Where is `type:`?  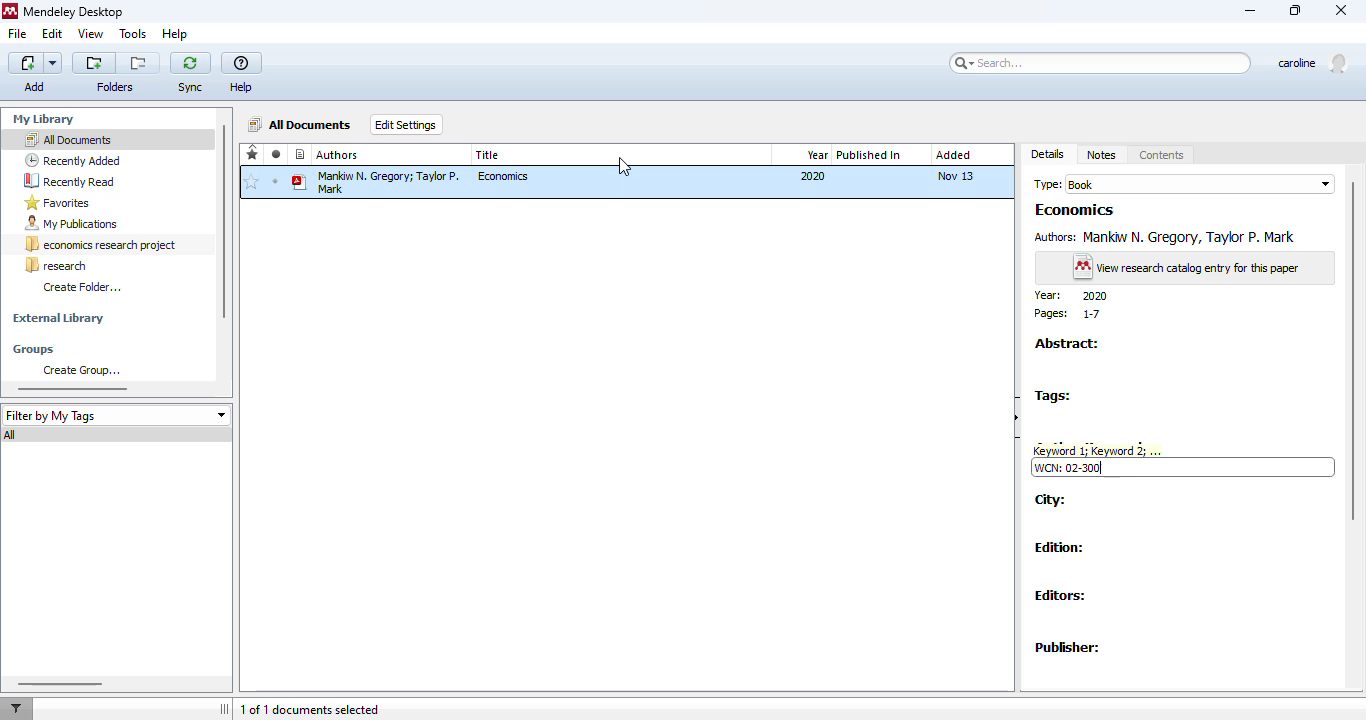 type: is located at coordinates (1047, 183).